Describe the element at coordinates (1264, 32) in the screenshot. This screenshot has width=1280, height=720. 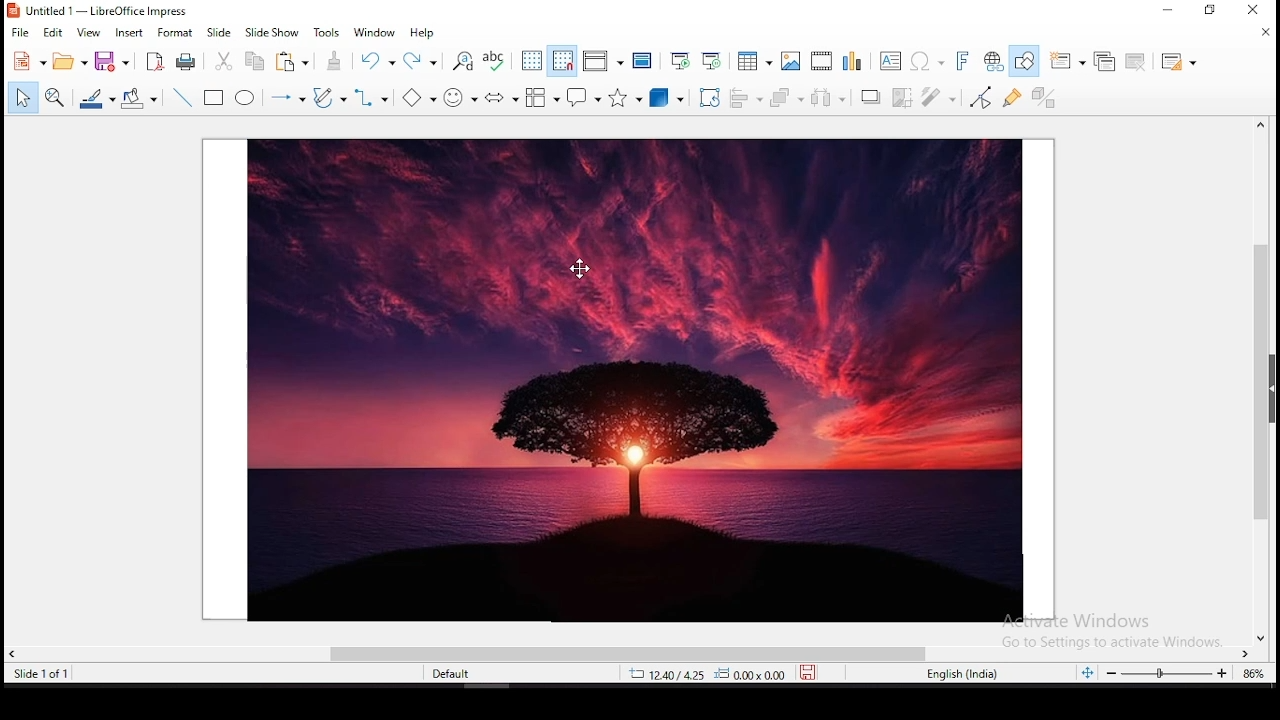
I see `close` at that location.